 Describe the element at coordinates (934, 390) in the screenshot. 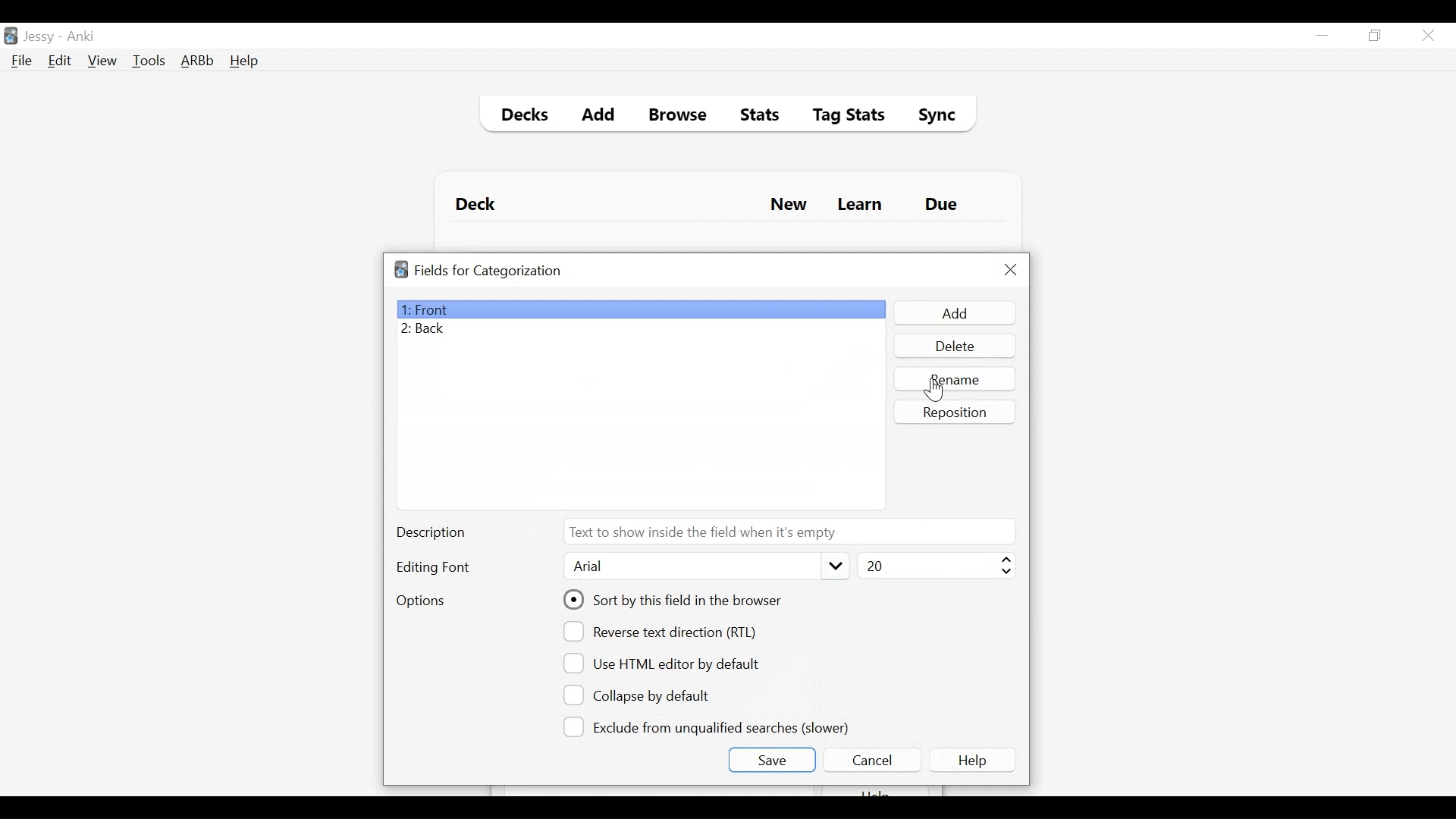

I see `Cursor` at that location.